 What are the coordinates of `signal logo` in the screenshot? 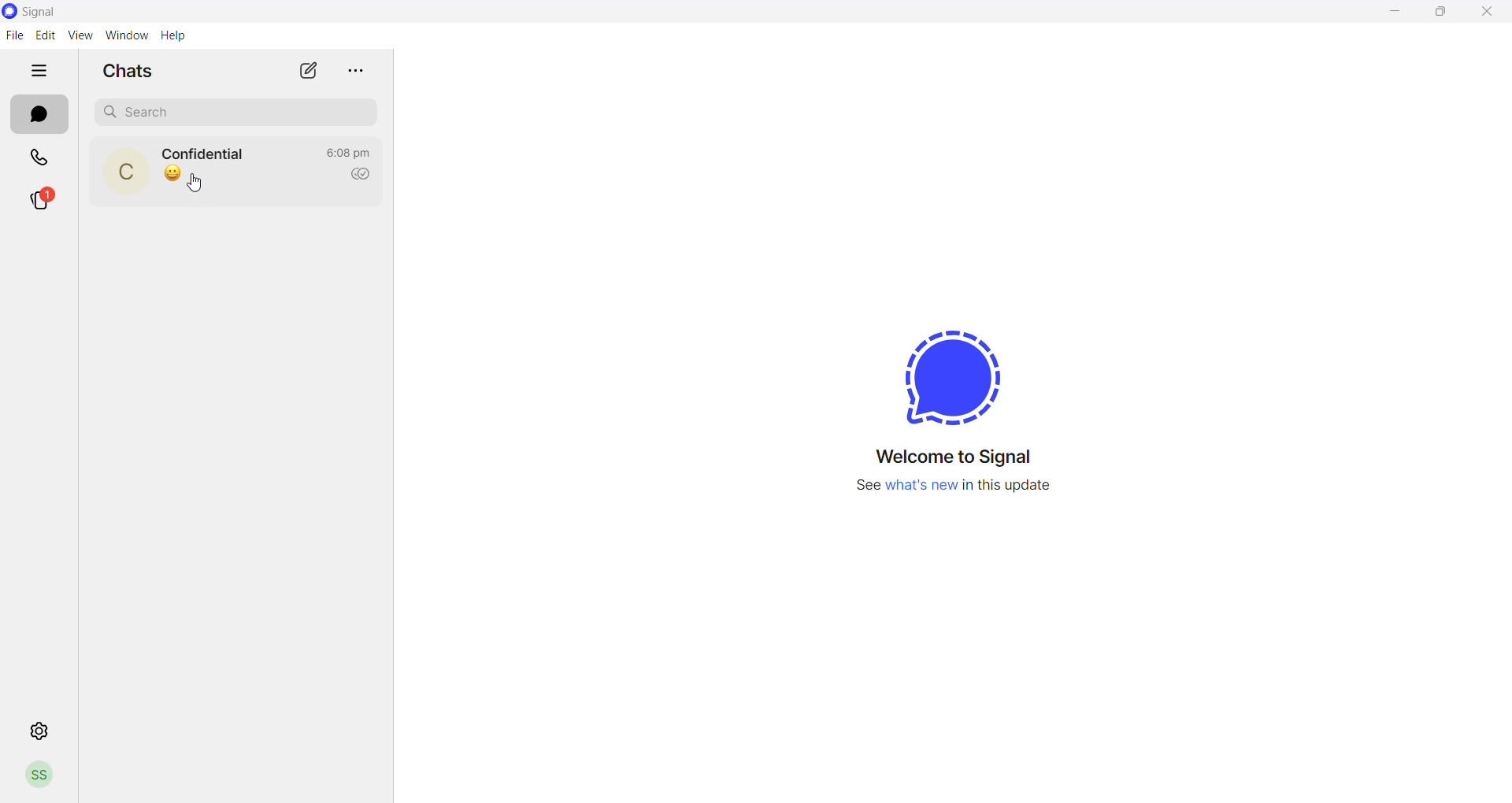 It's located at (948, 371).